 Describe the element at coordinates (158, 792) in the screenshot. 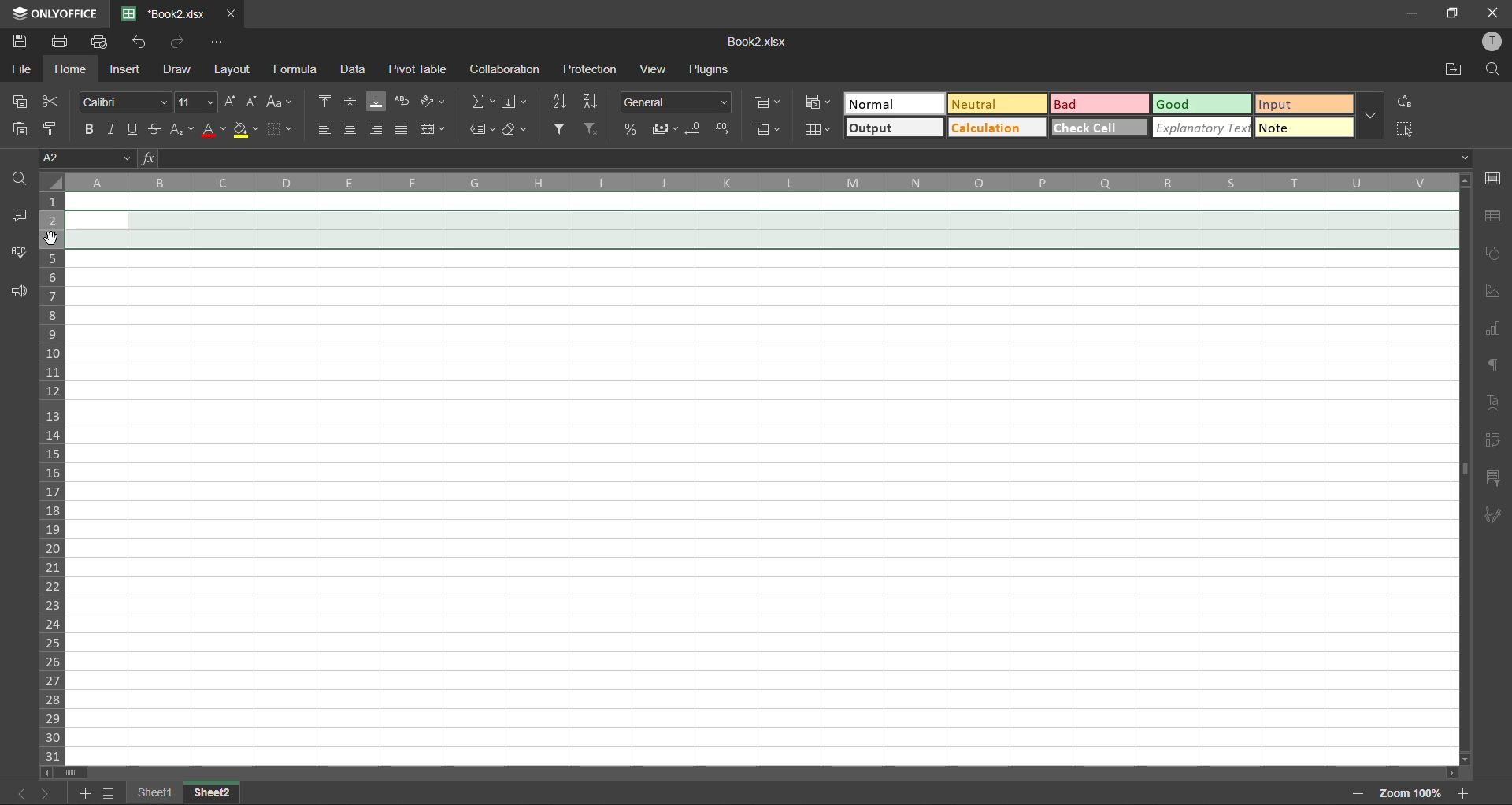

I see `sheet names` at that location.